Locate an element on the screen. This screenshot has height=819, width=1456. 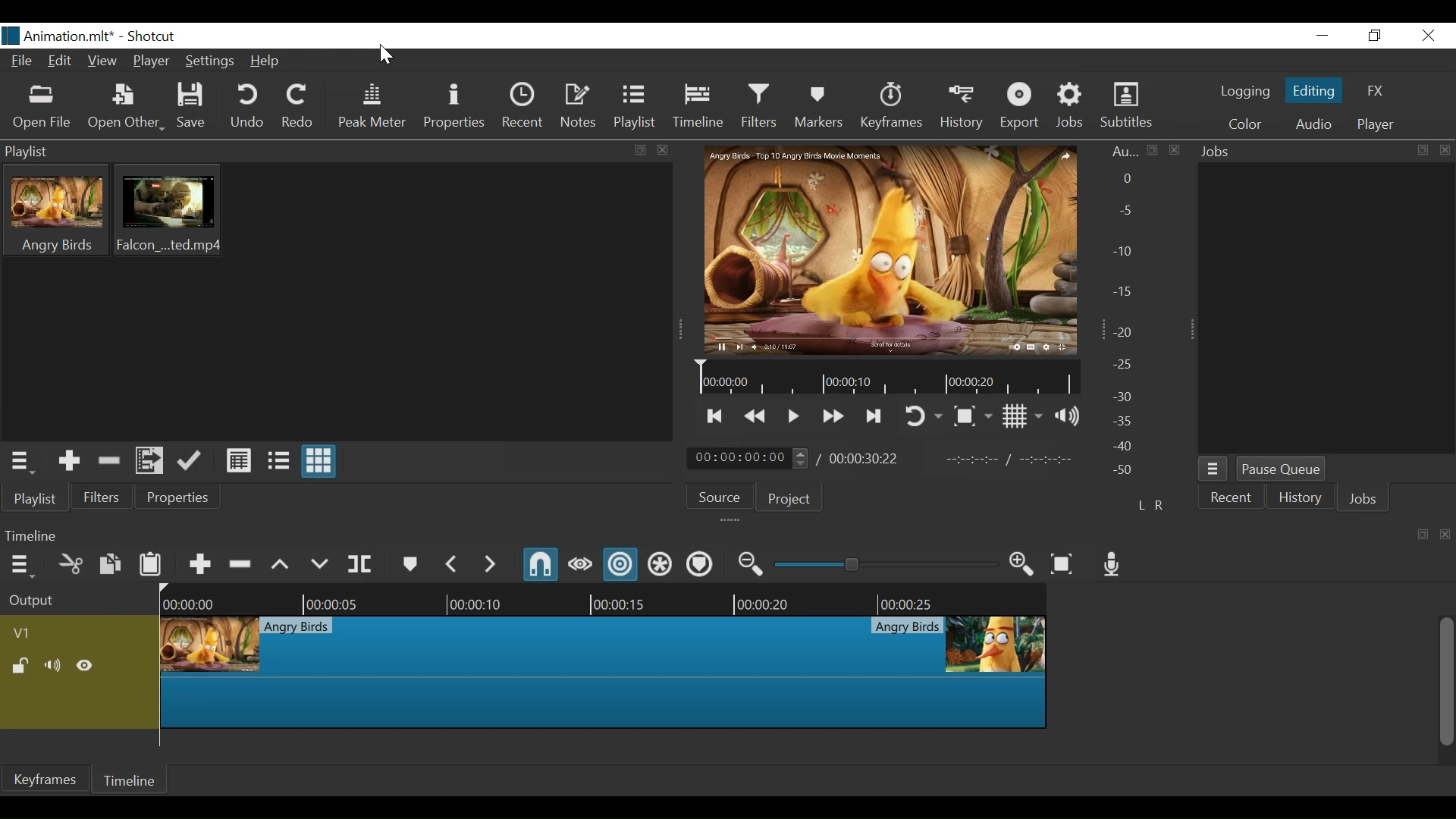
In point is located at coordinates (1012, 460).